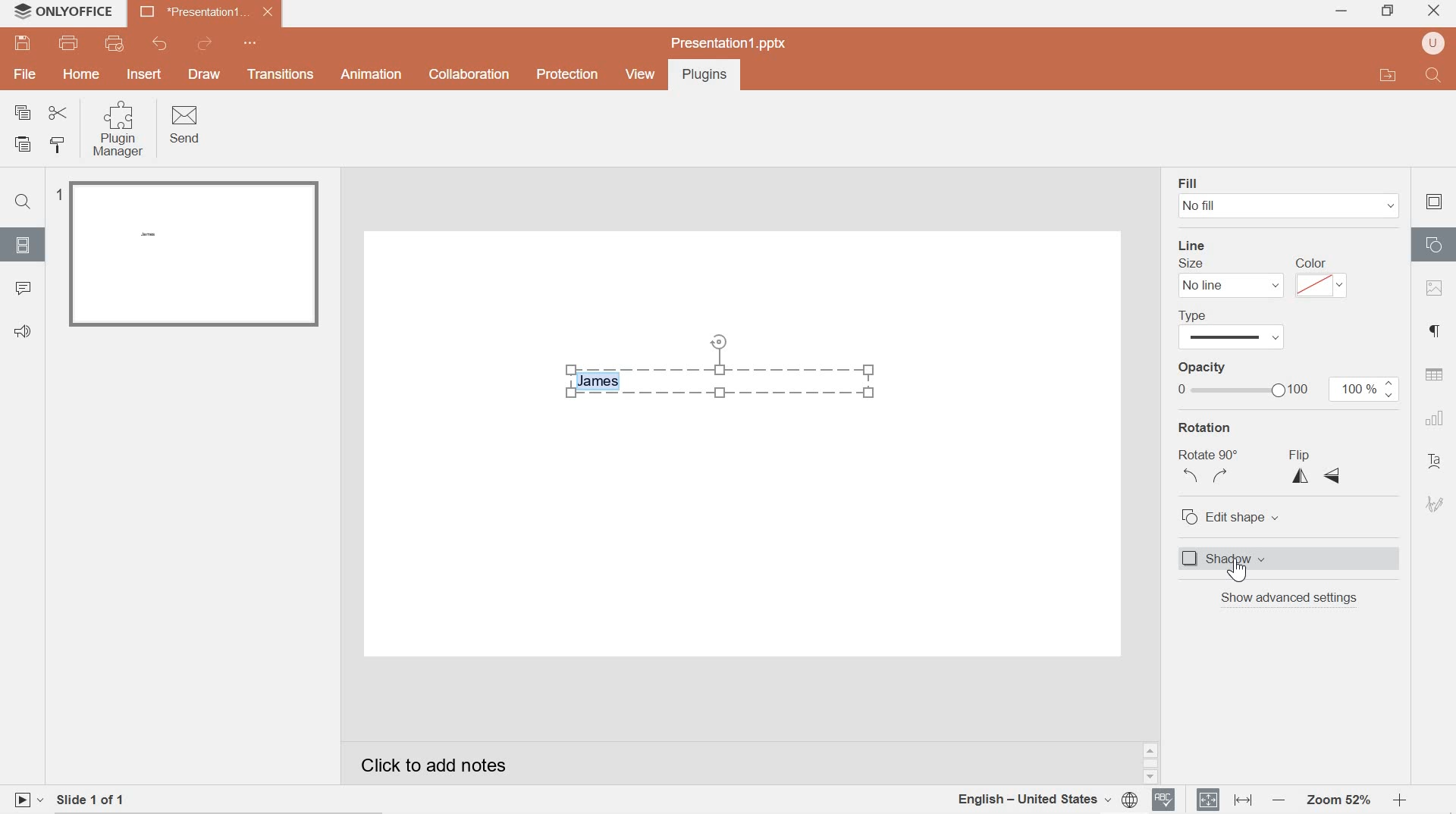 The width and height of the screenshot is (1456, 814). I want to click on user, so click(1433, 44).